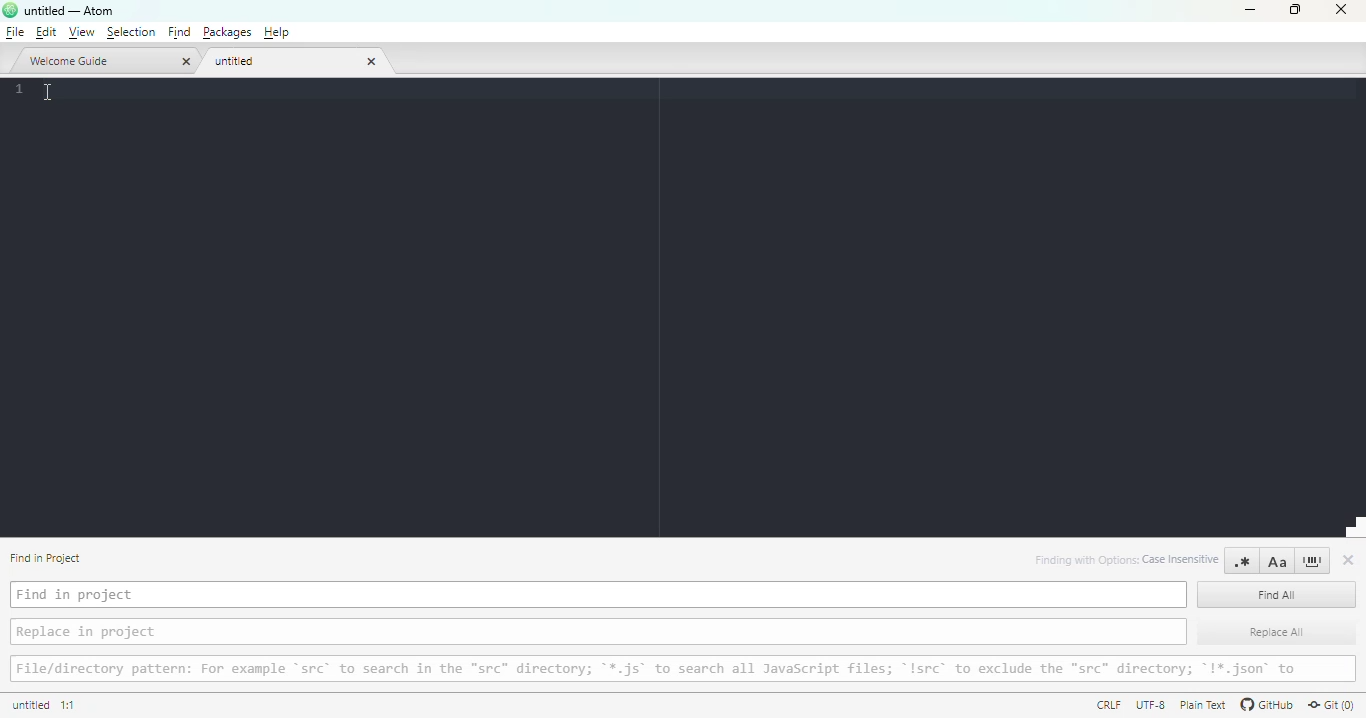 The width and height of the screenshot is (1366, 718). Describe the element at coordinates (70, 705) in the screenshot. I see `line 1, column 1` at that location.